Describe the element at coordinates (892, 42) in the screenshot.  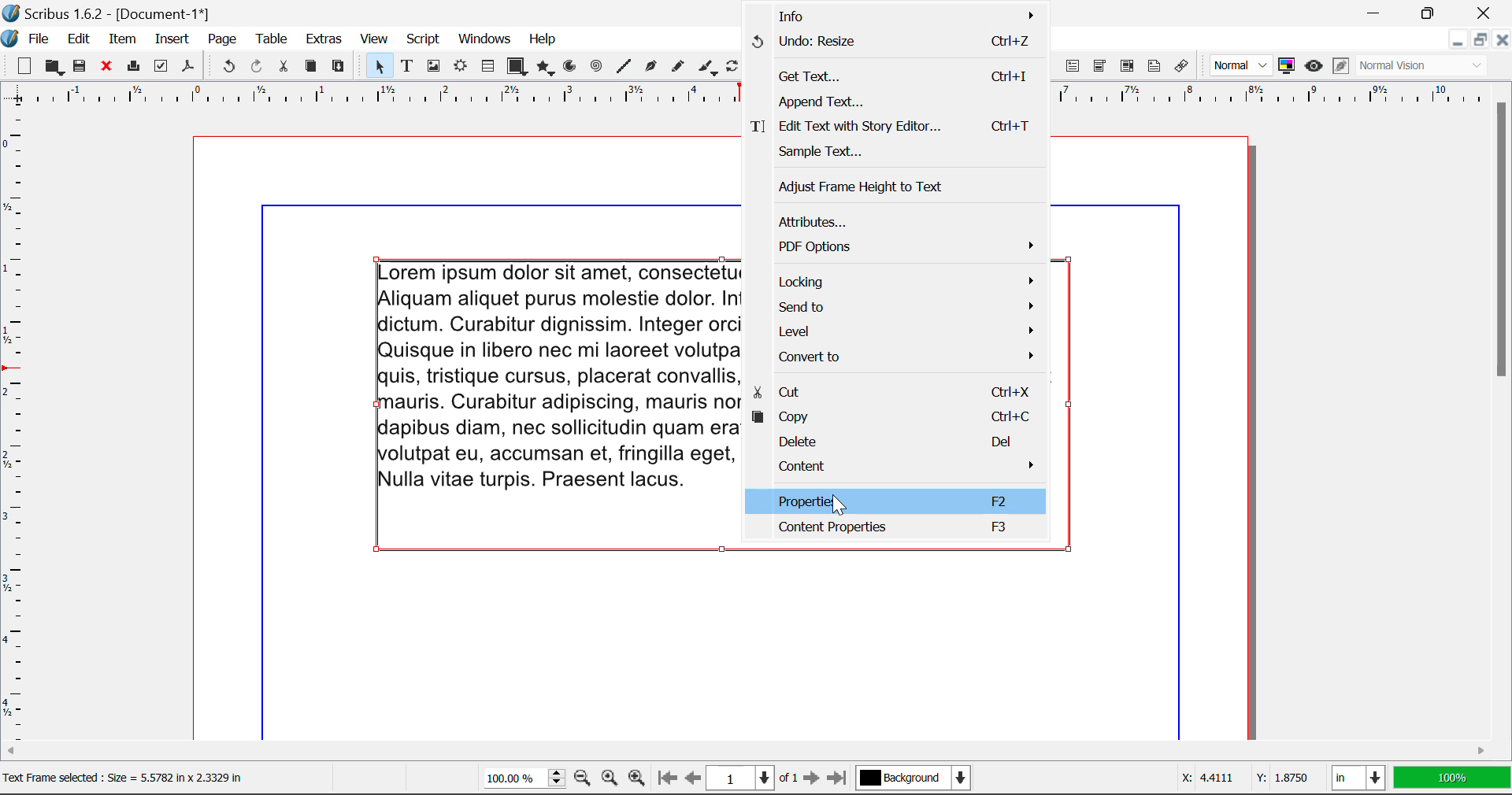
I see `Undo` at that location.